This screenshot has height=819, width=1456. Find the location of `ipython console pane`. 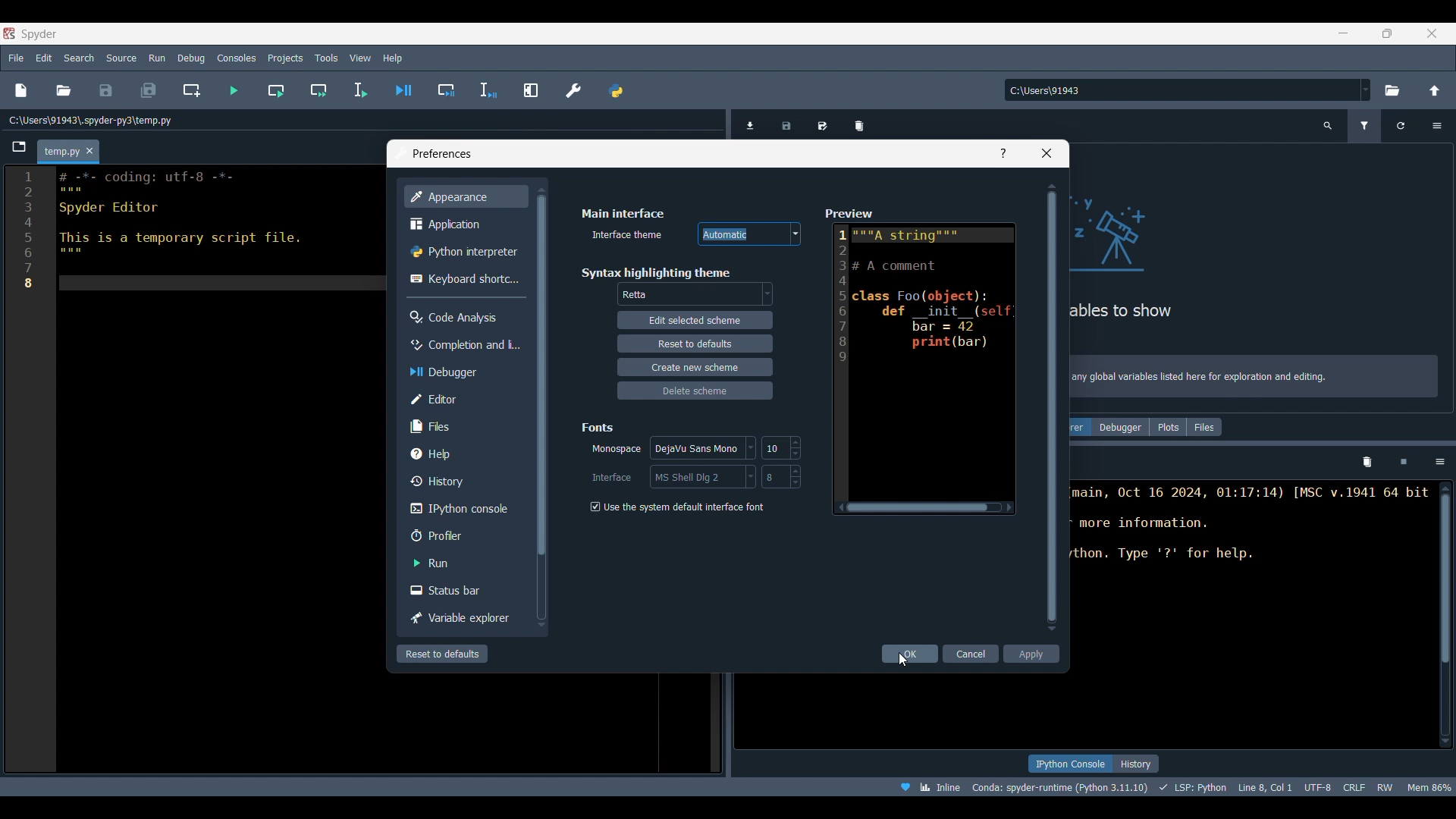

ipython console pane is located at coordinates (1251, 538).